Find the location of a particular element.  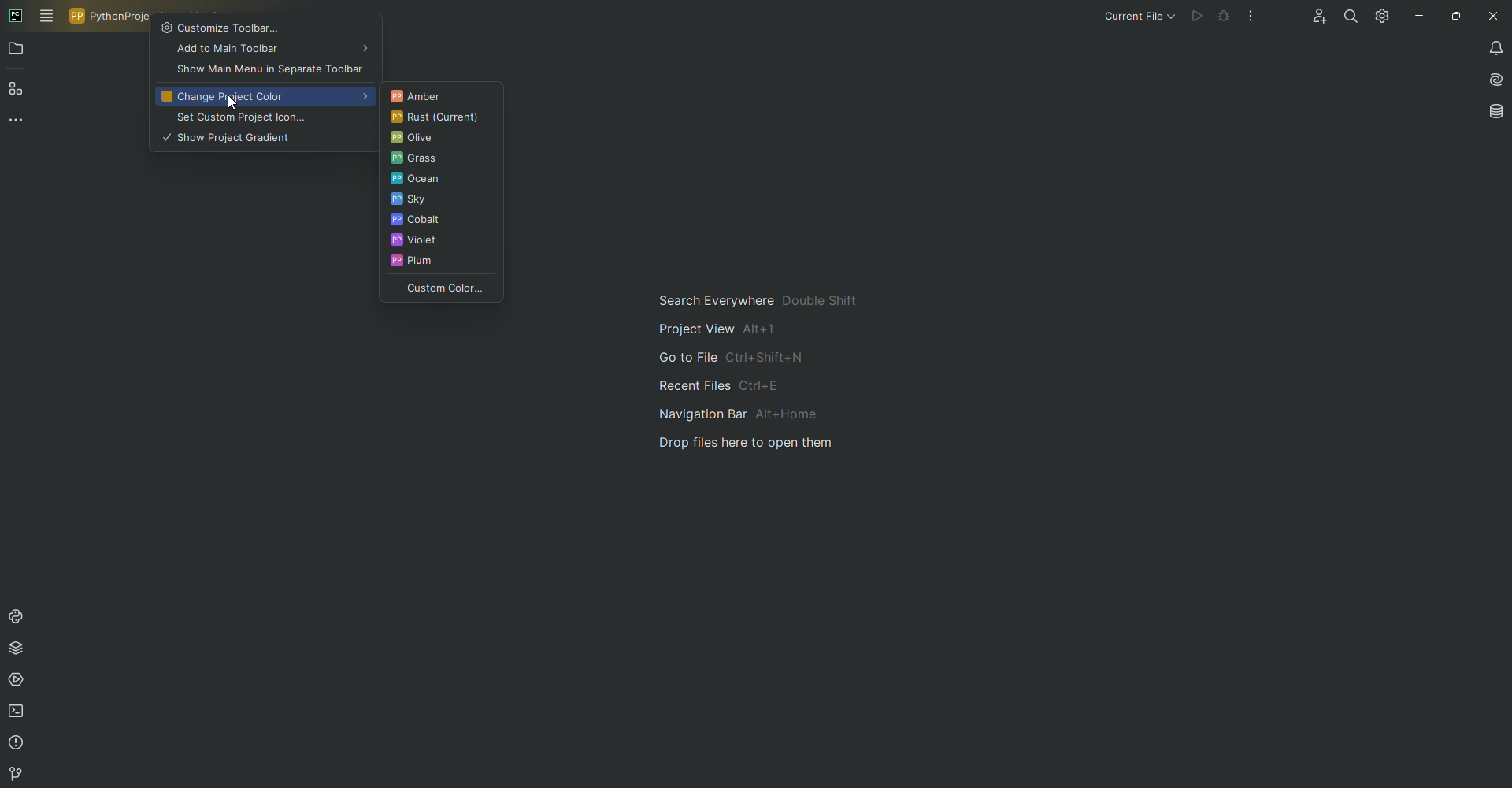

Show Project Gradient is located at coordinates (263, 139).